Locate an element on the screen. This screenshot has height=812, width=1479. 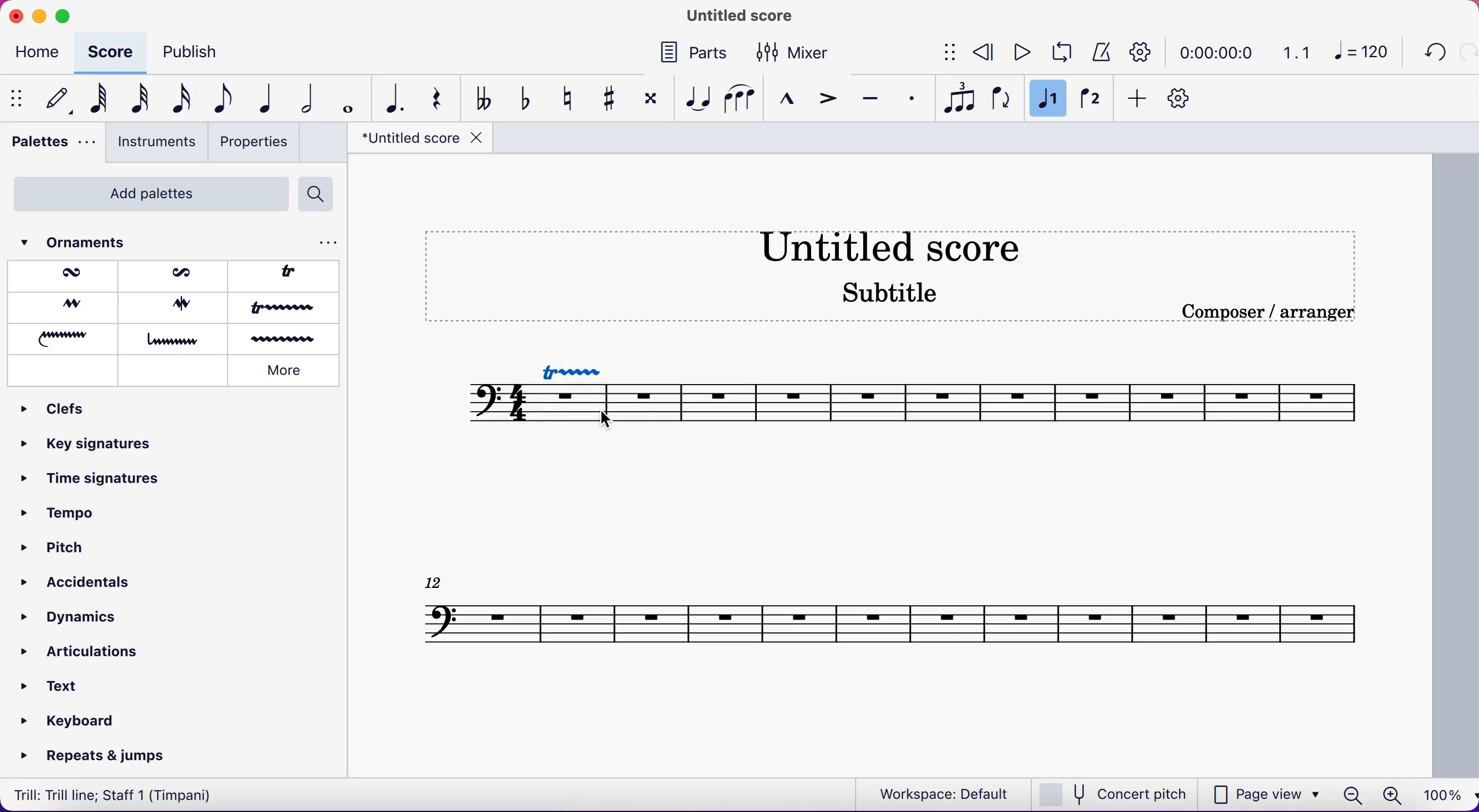
trill line (timpani) is located at coordinates (120, 794).